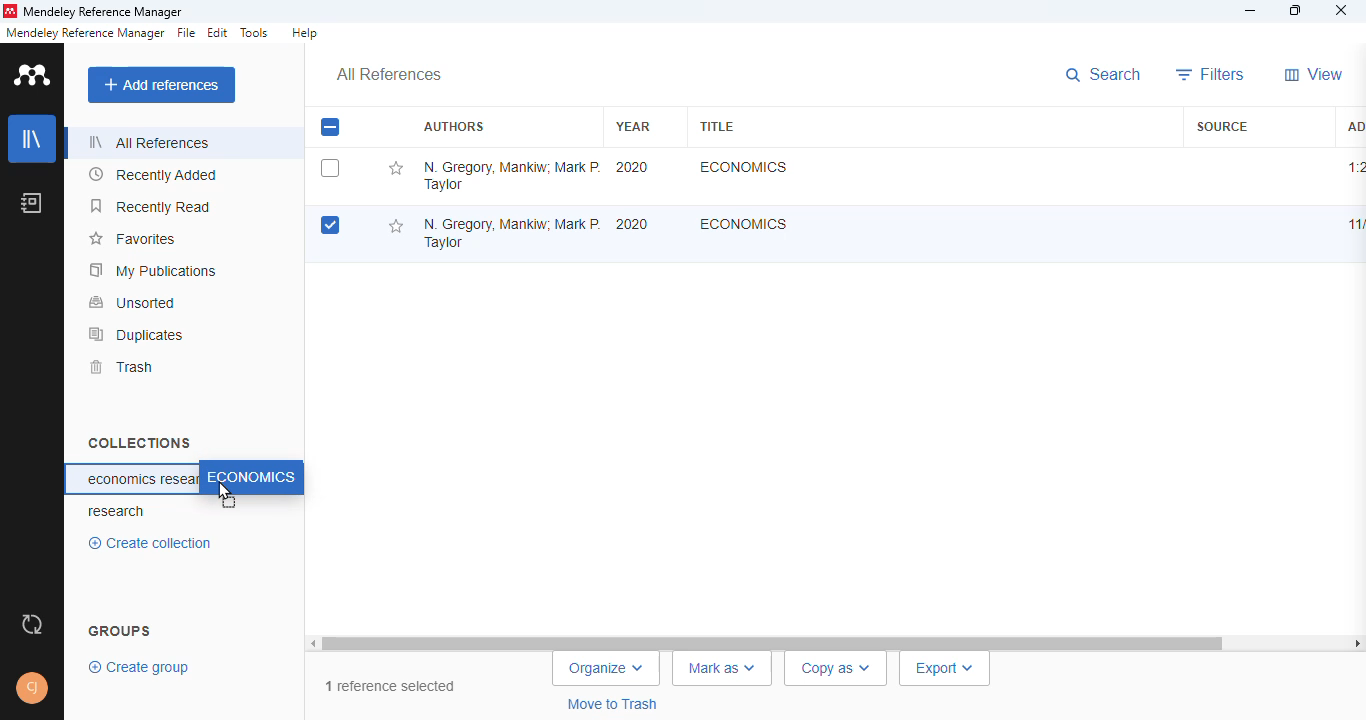 This screenshot has width=1366, height=720. What do you see at coordinates (141, 666) in the screenshot?
I see `create group` at bounding box center [141, 666].